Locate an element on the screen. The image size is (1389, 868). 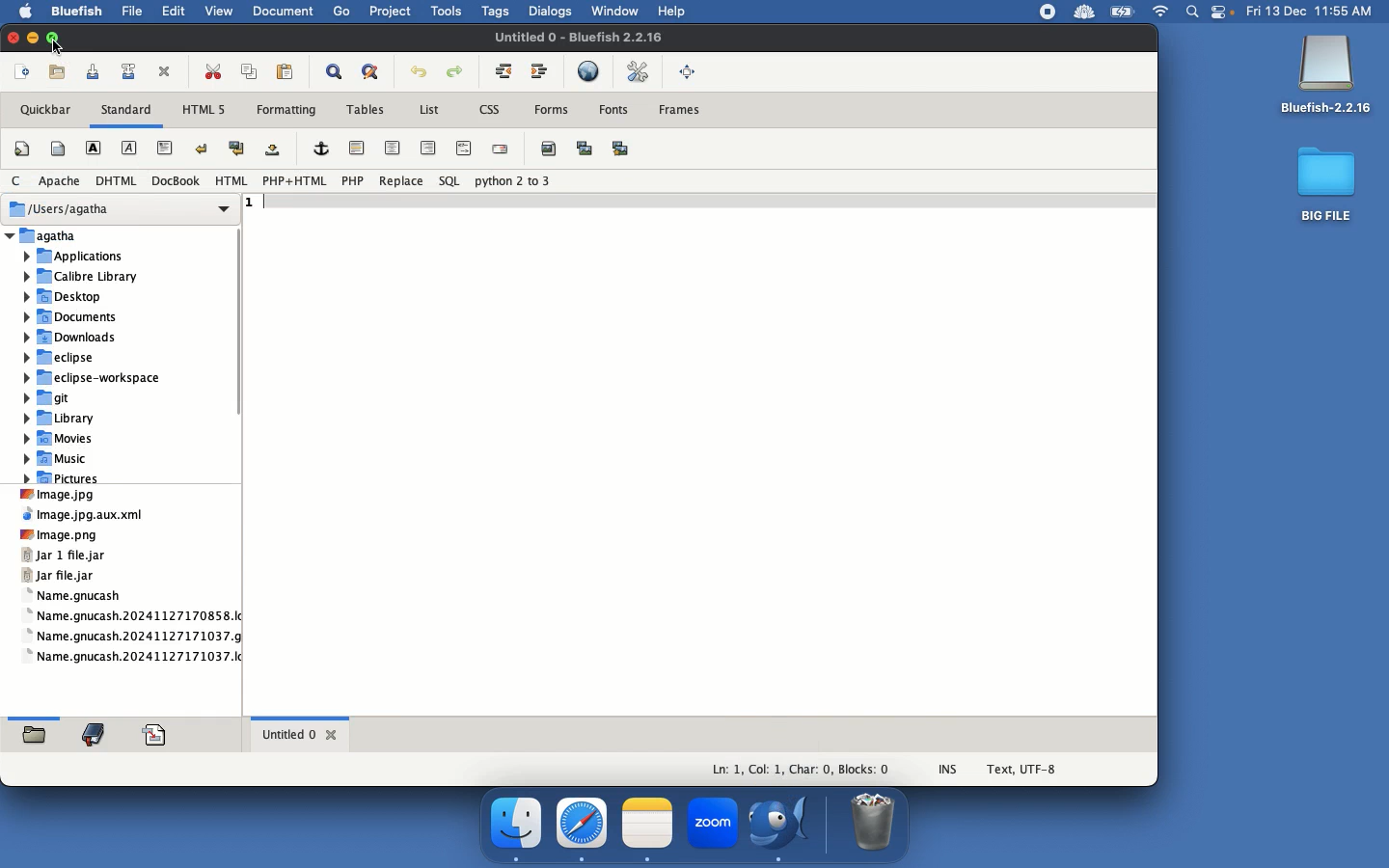
minimize is located at coordinates (35, 38).